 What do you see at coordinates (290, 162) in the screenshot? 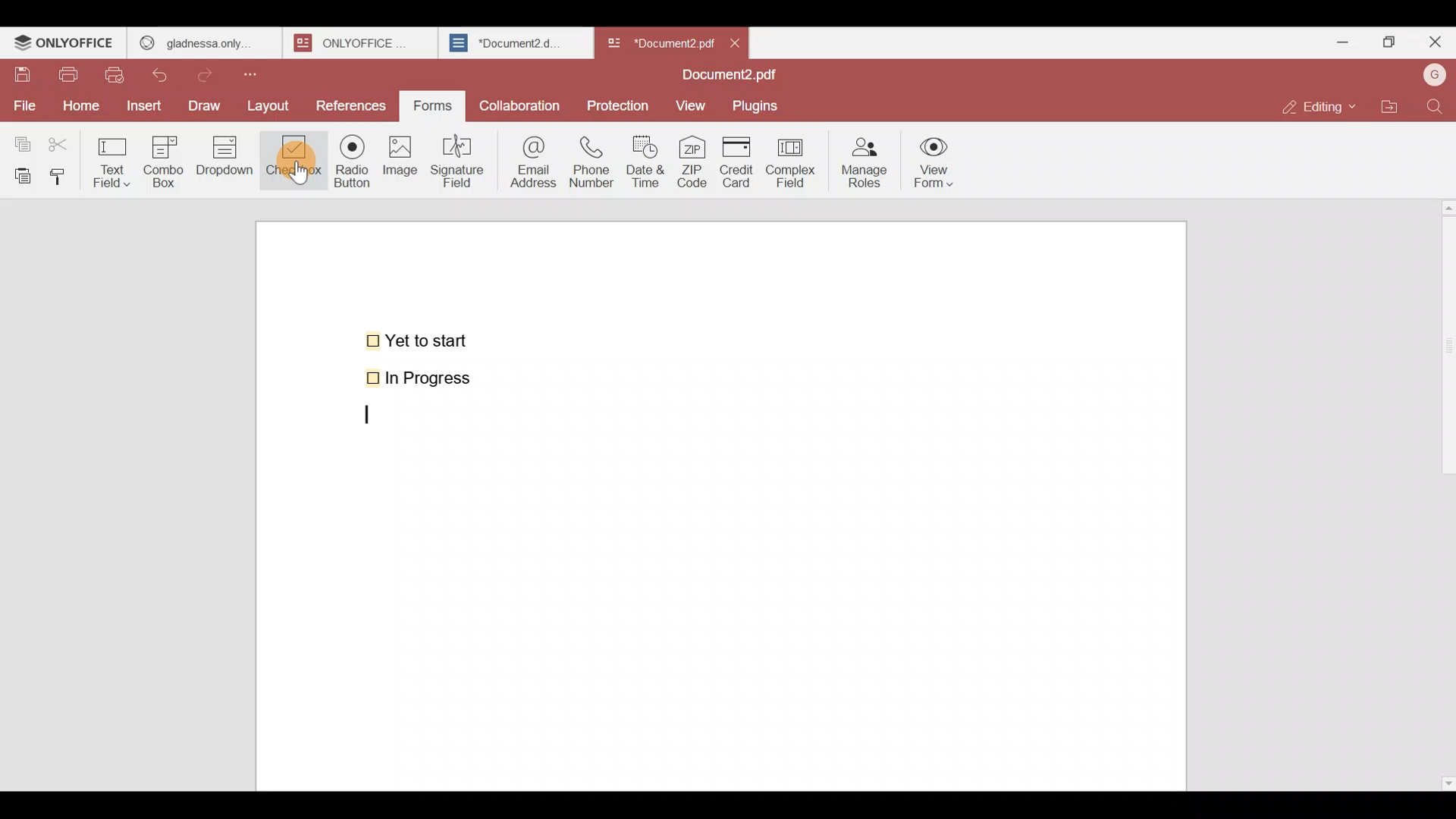
I see `Checkbox` at bounding box center [290, 162].